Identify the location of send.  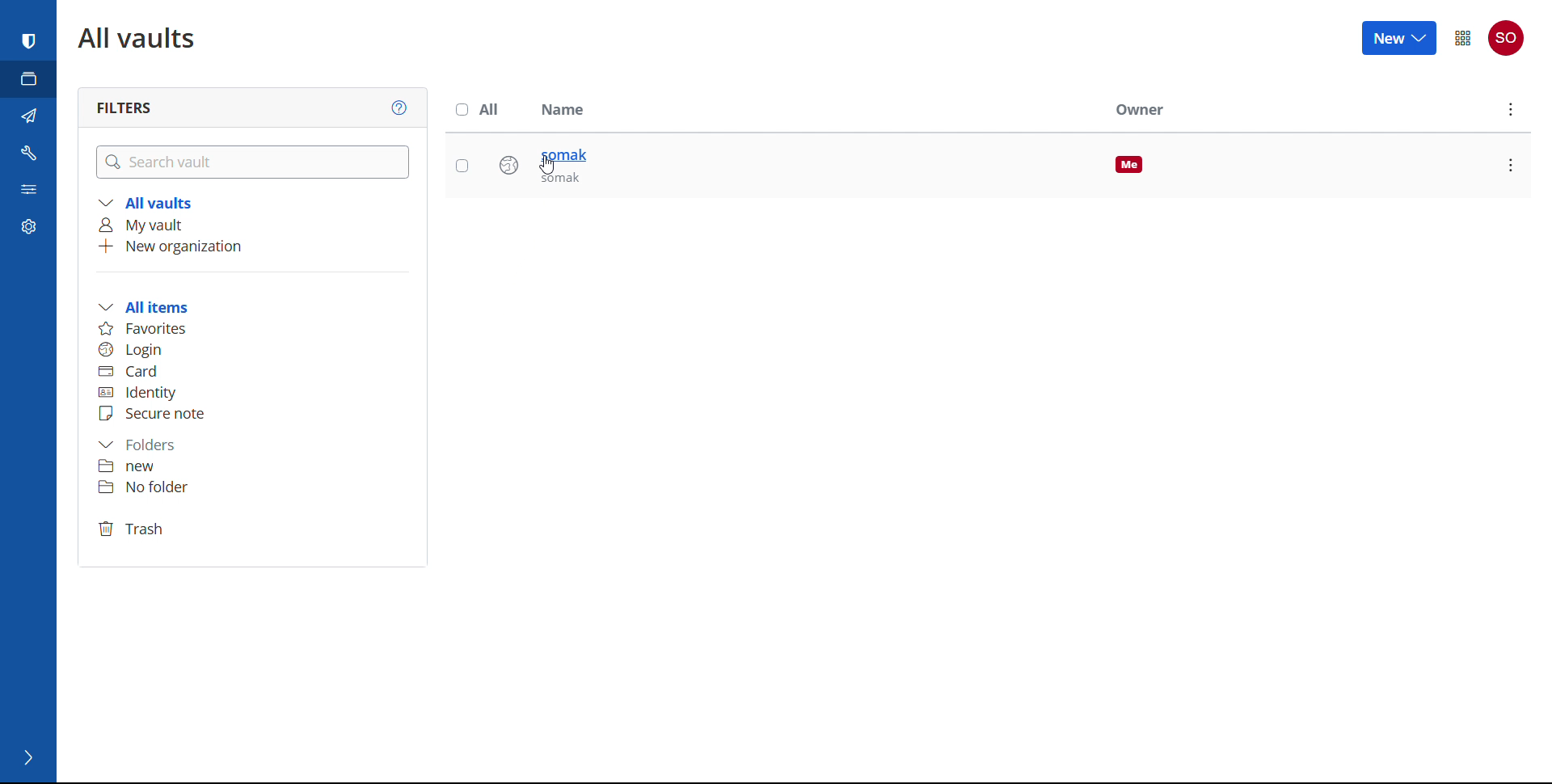
(28, 116).